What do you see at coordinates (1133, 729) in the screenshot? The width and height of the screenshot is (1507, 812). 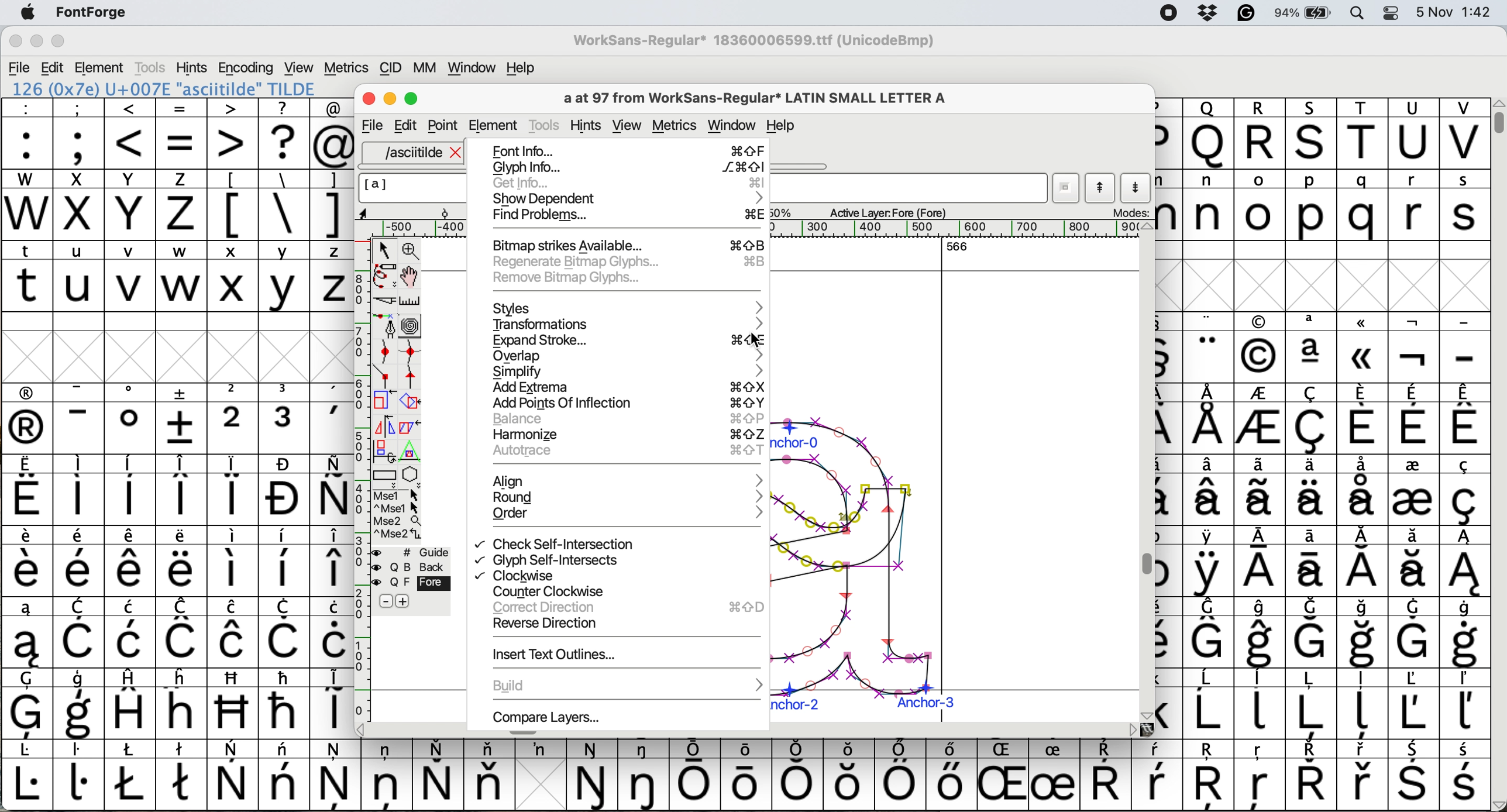 I see `scroll button` at bounding box center [1133, 729].